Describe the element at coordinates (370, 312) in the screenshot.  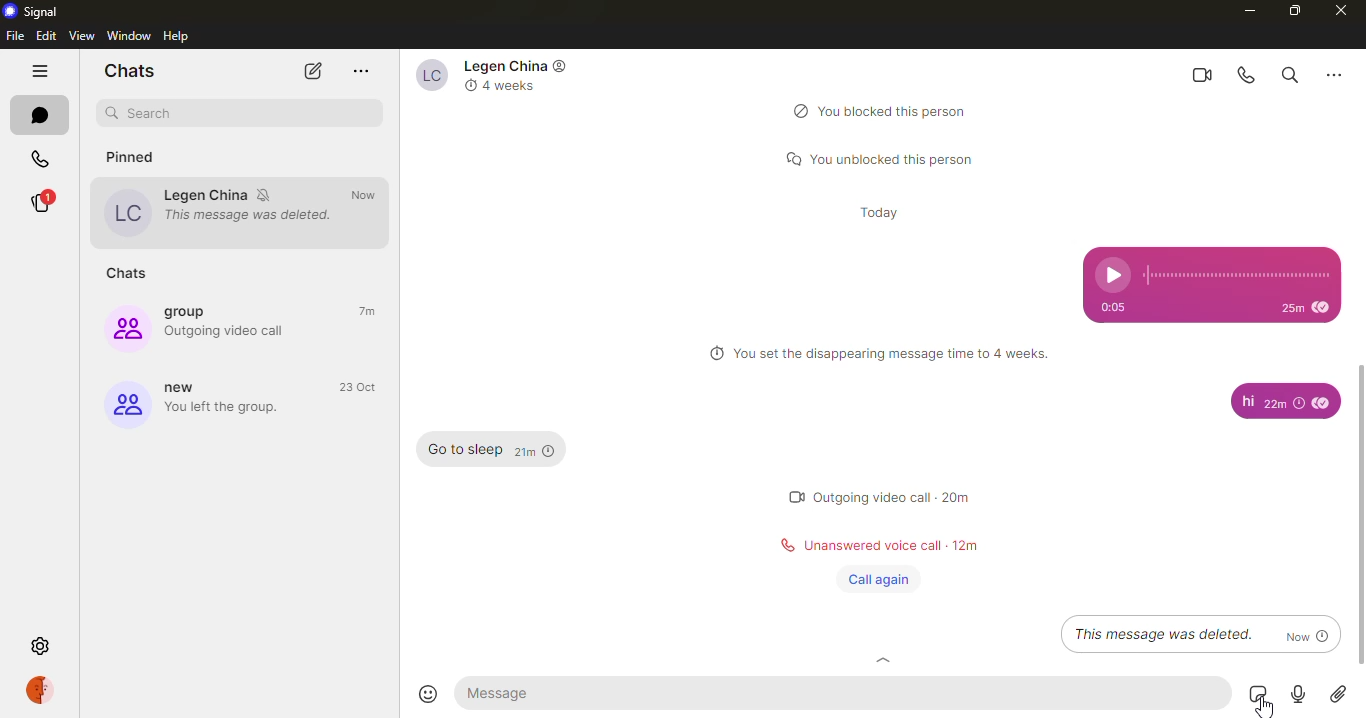
I see `7m` at that location.